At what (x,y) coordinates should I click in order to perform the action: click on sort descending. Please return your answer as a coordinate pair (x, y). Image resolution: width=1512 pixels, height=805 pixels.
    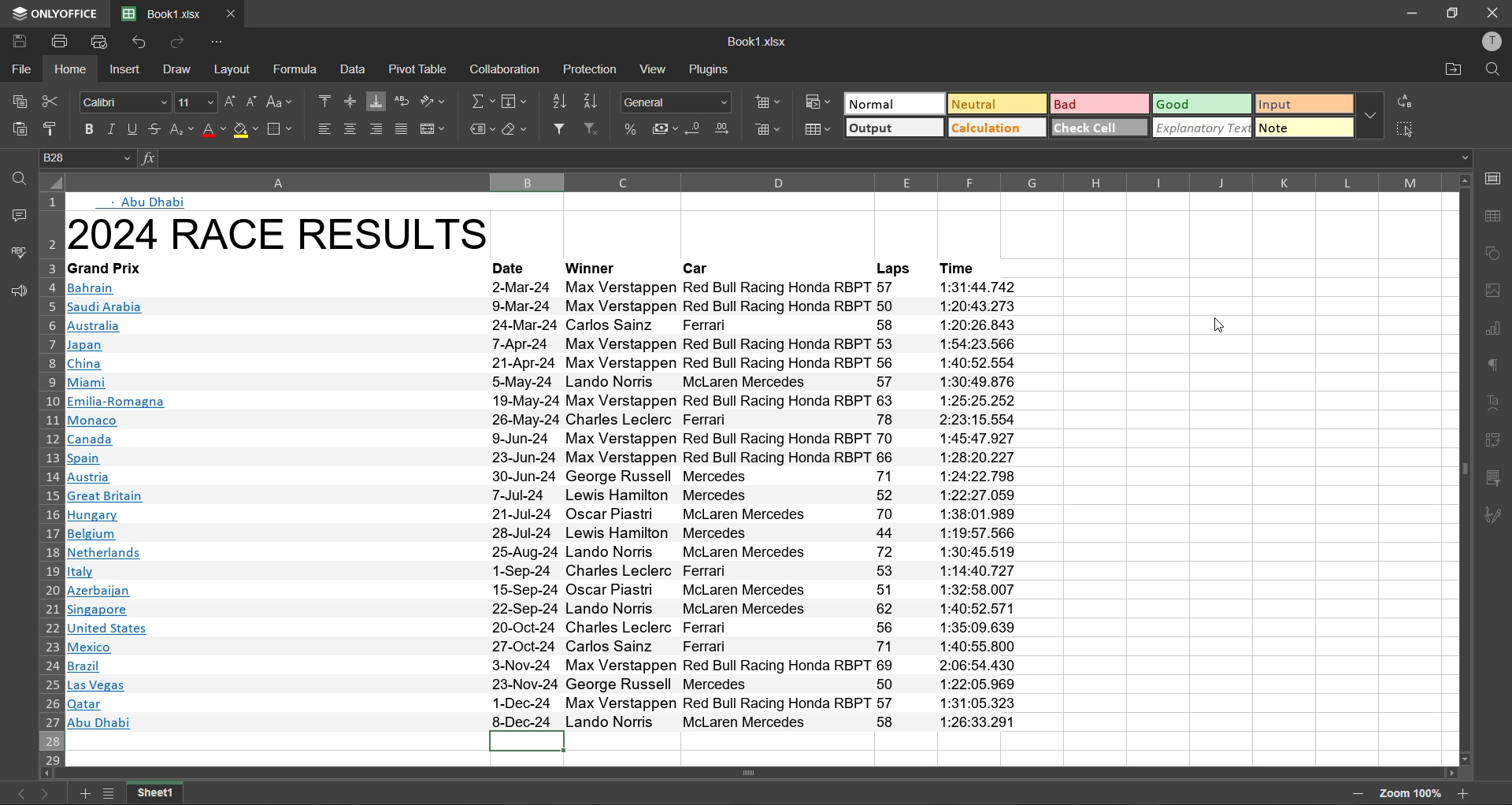
    Looking at the image, I should click on (595, 100).